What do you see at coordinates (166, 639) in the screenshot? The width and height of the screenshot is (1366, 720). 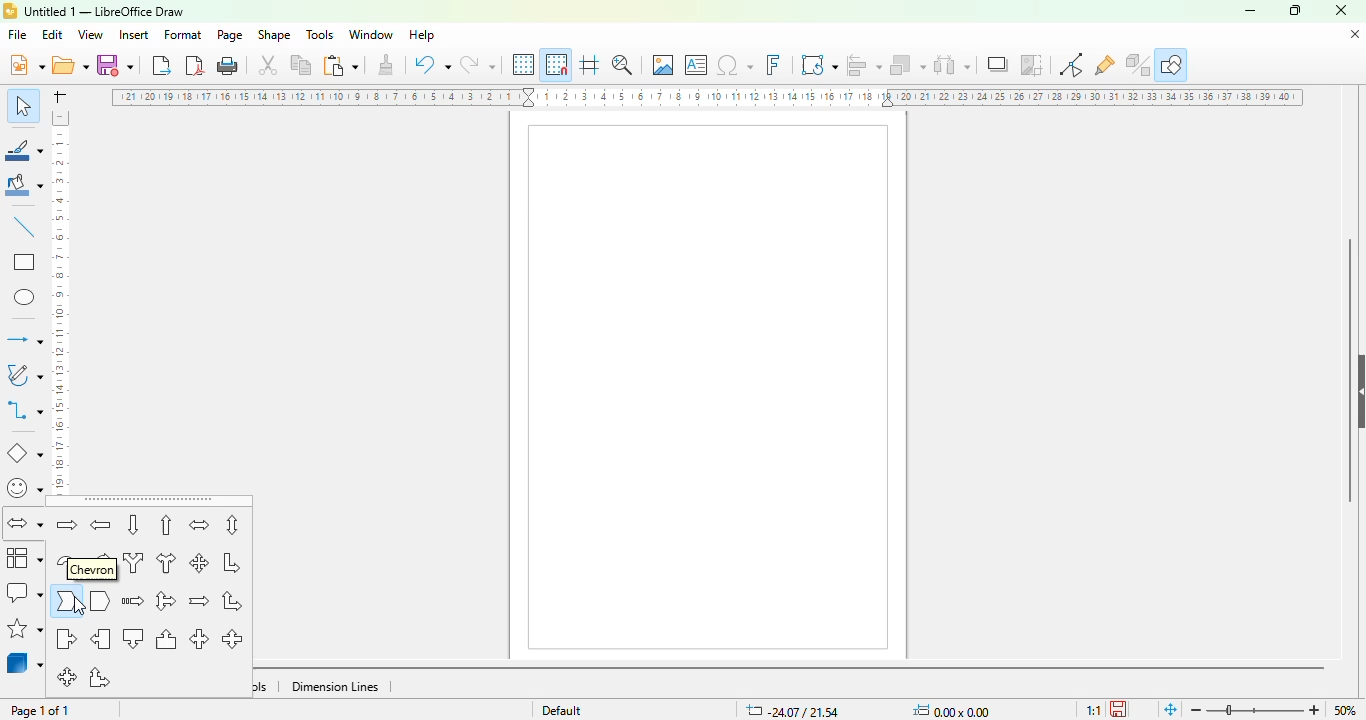 I see `up arrow callout` at bounding box center [166, 639].